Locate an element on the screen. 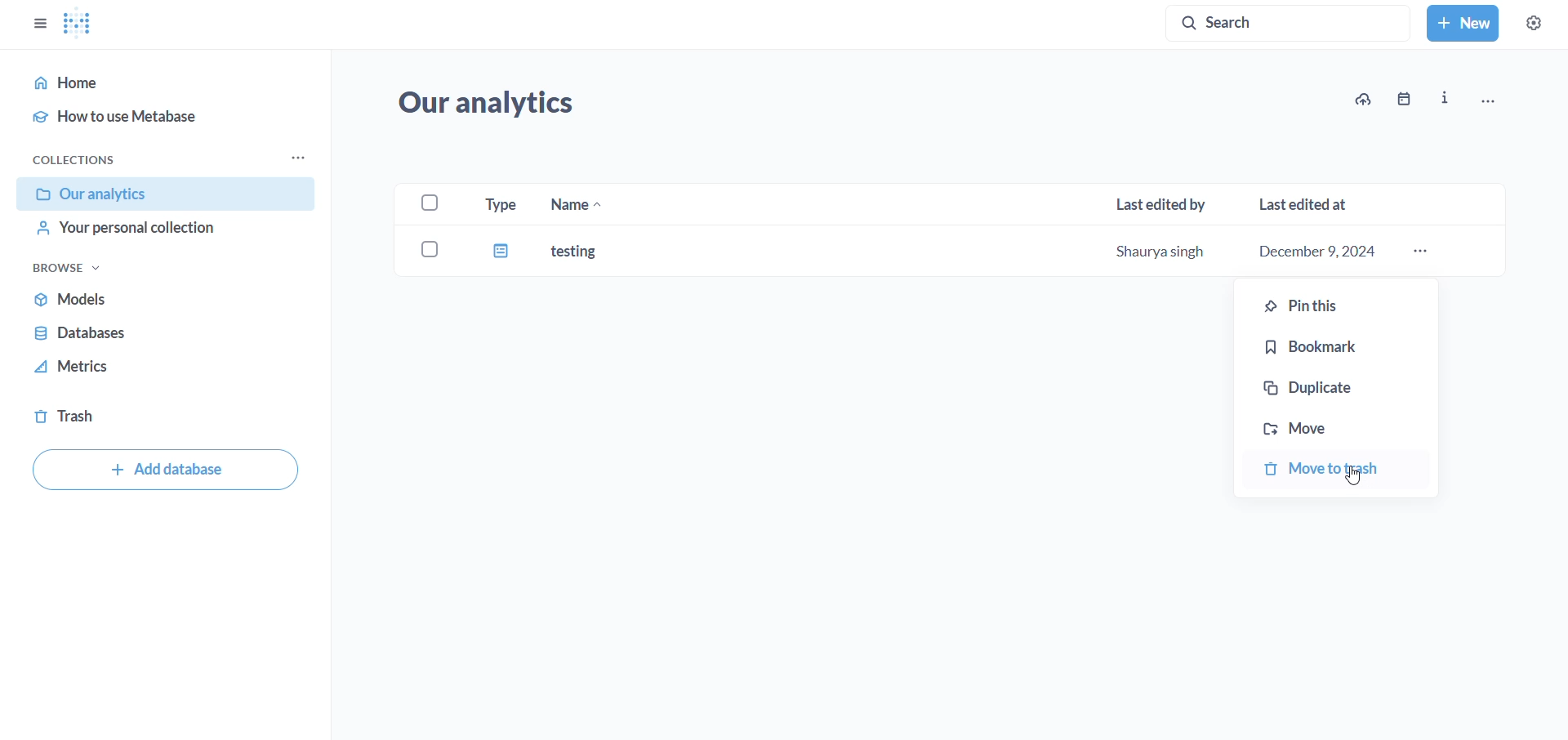 The height and width of the screenshot is (740, 1568). move to trash is located at coordinates (1339, 468).